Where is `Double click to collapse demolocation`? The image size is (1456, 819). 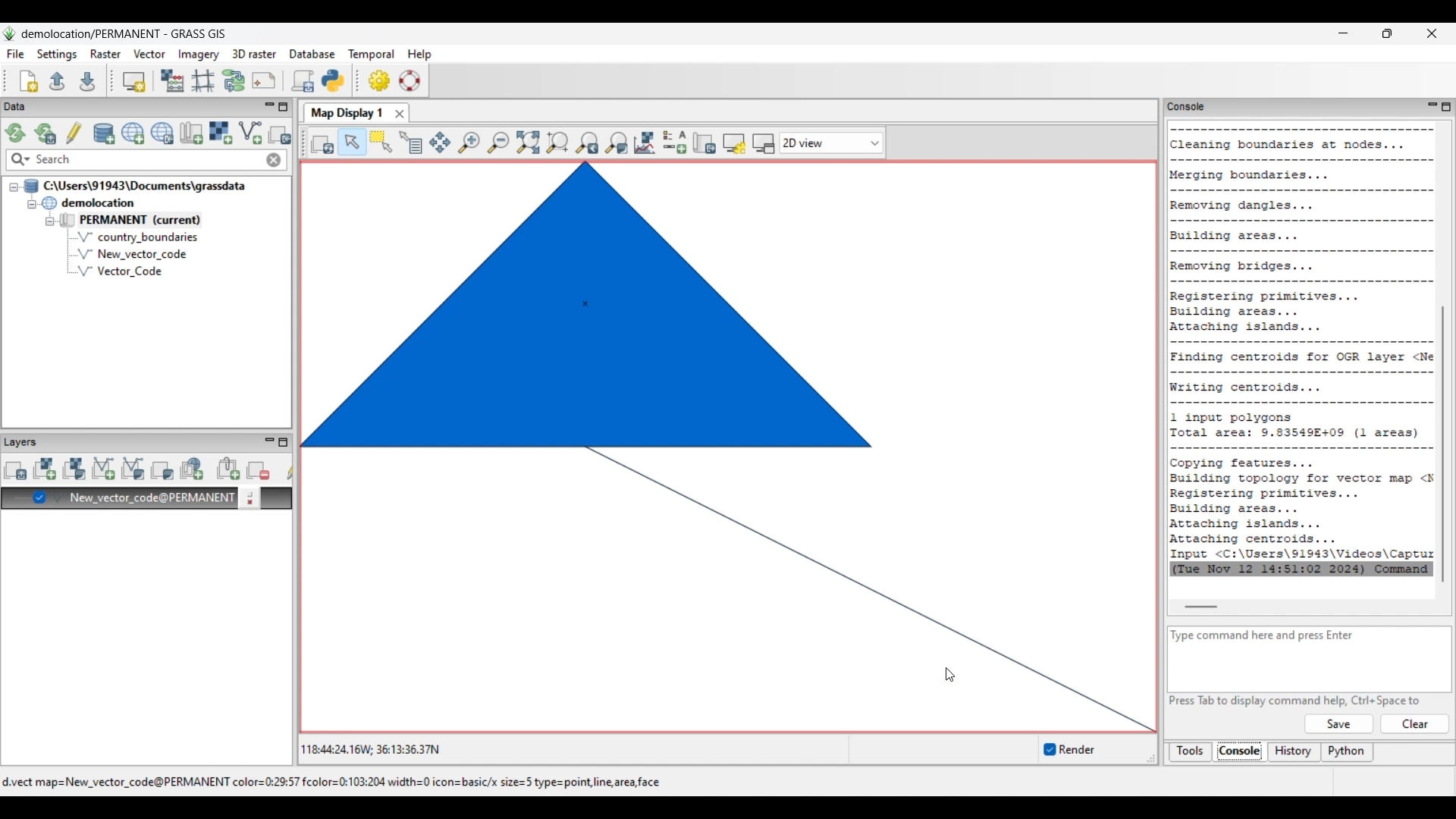 Double click to collapse demolocation is located at coordinates (88, 202).